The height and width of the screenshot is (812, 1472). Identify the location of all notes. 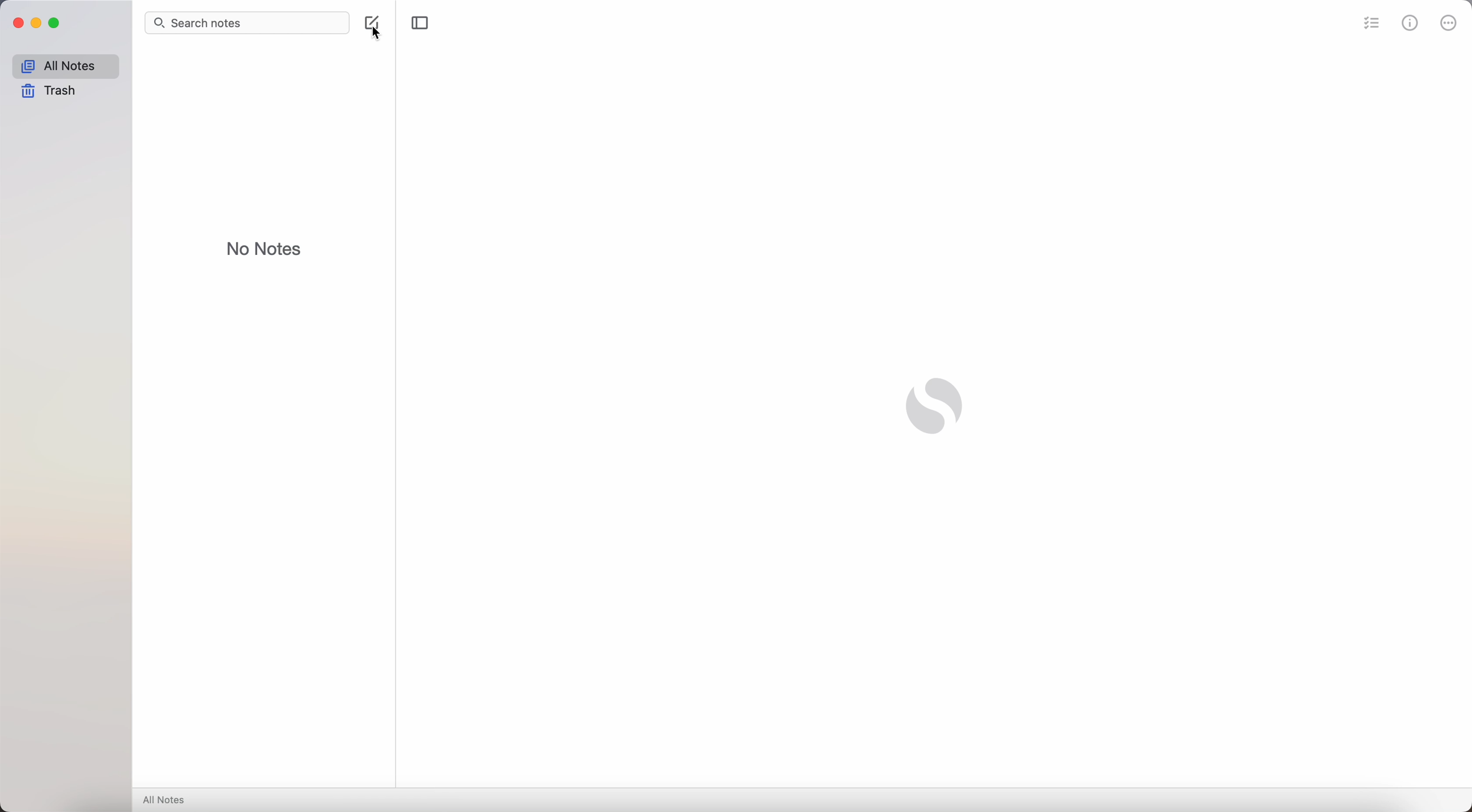
(166, 799).